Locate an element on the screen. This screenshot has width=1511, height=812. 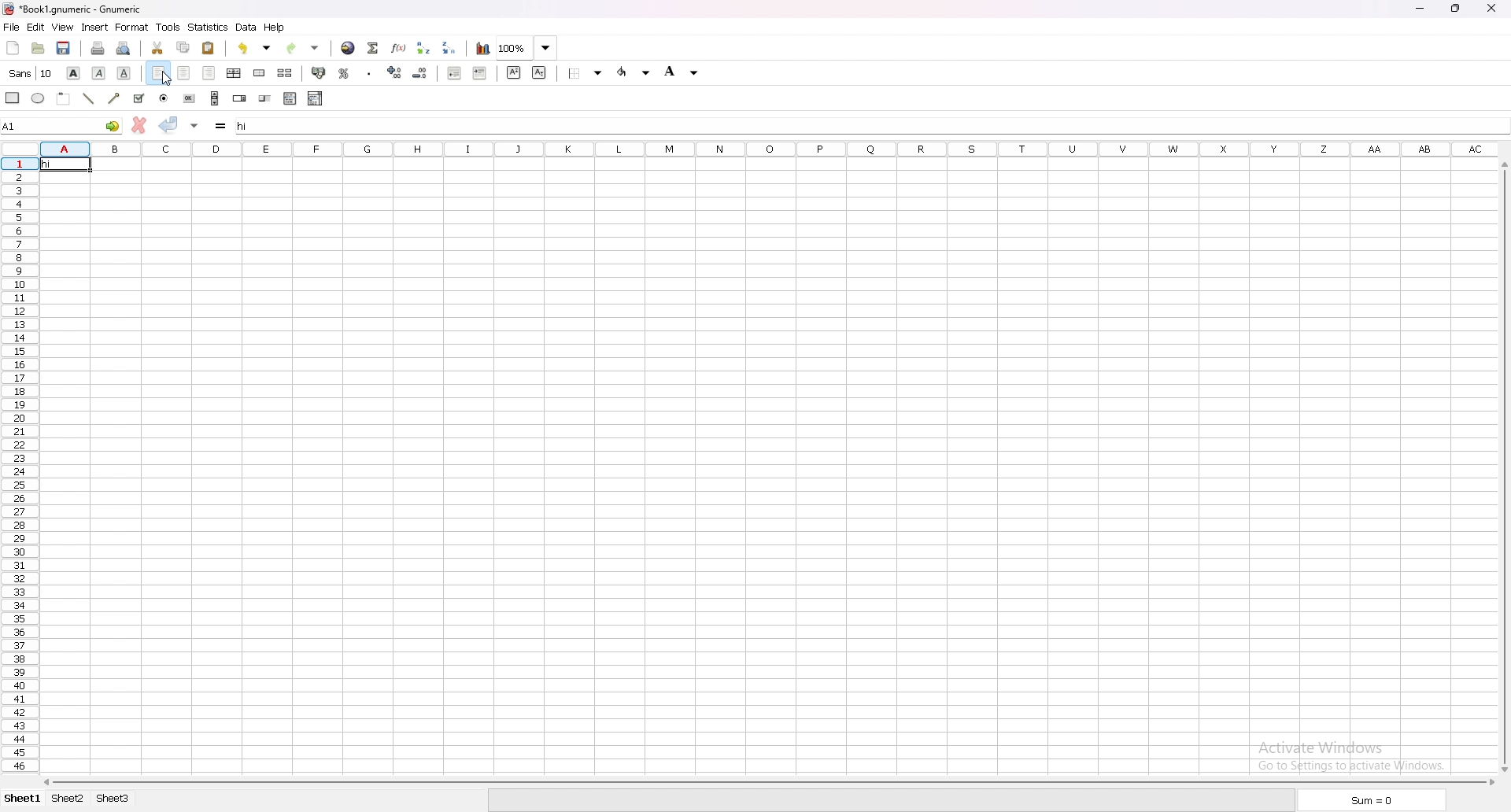
insert is located at coordinates (94, 28).